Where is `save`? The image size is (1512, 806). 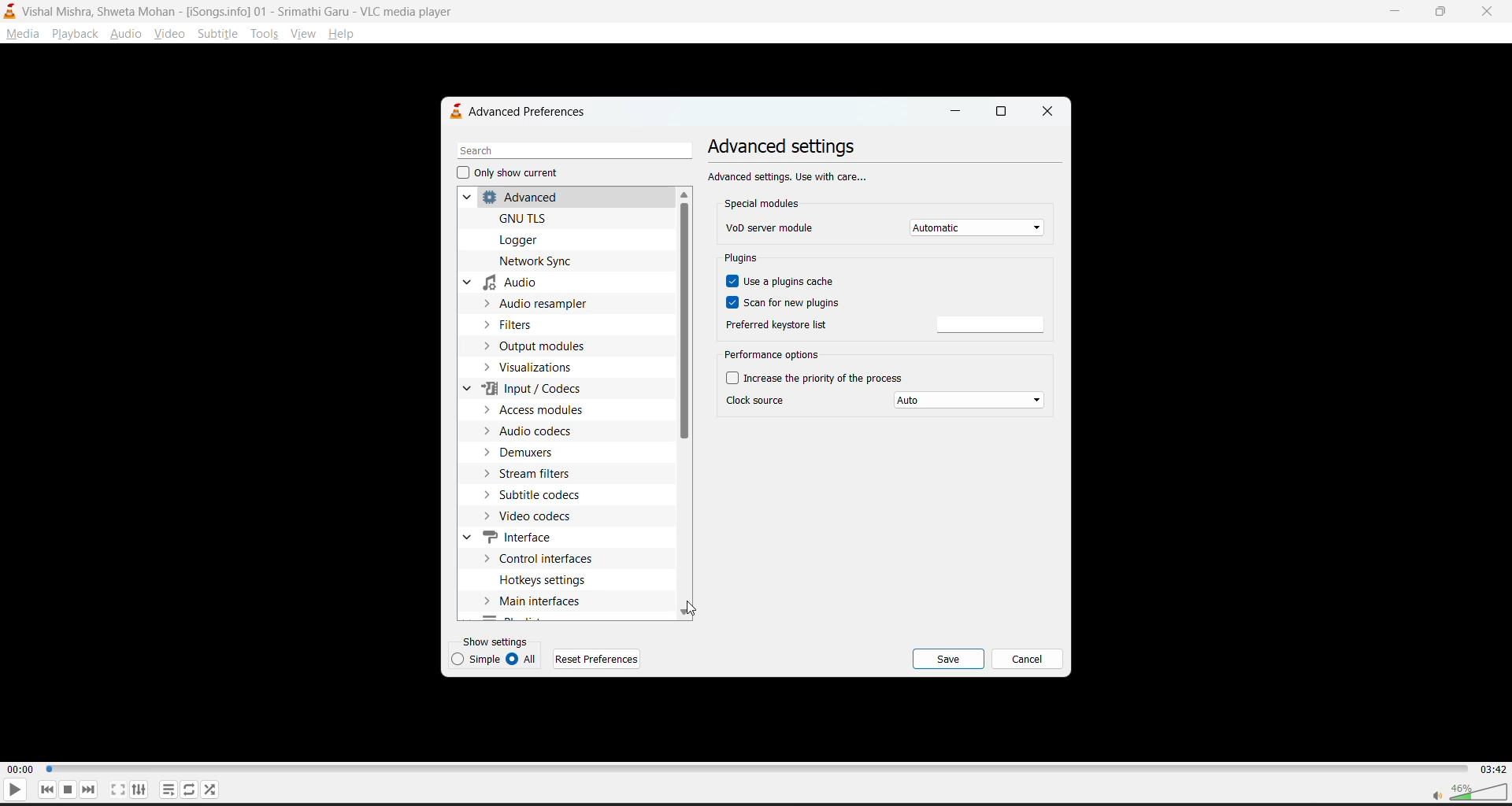
save is located at coordinates (952, 658).